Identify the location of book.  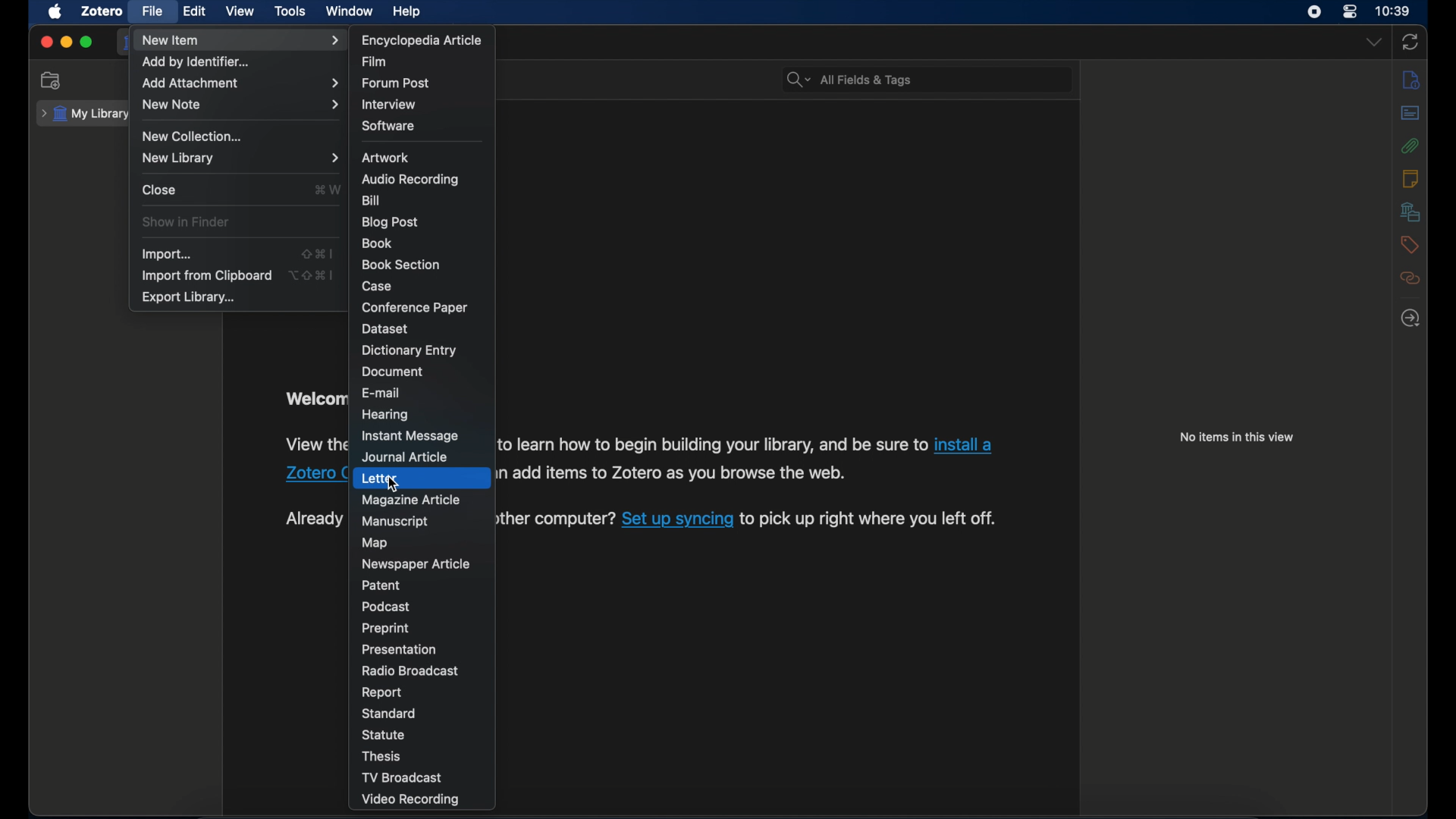
(379, 243).